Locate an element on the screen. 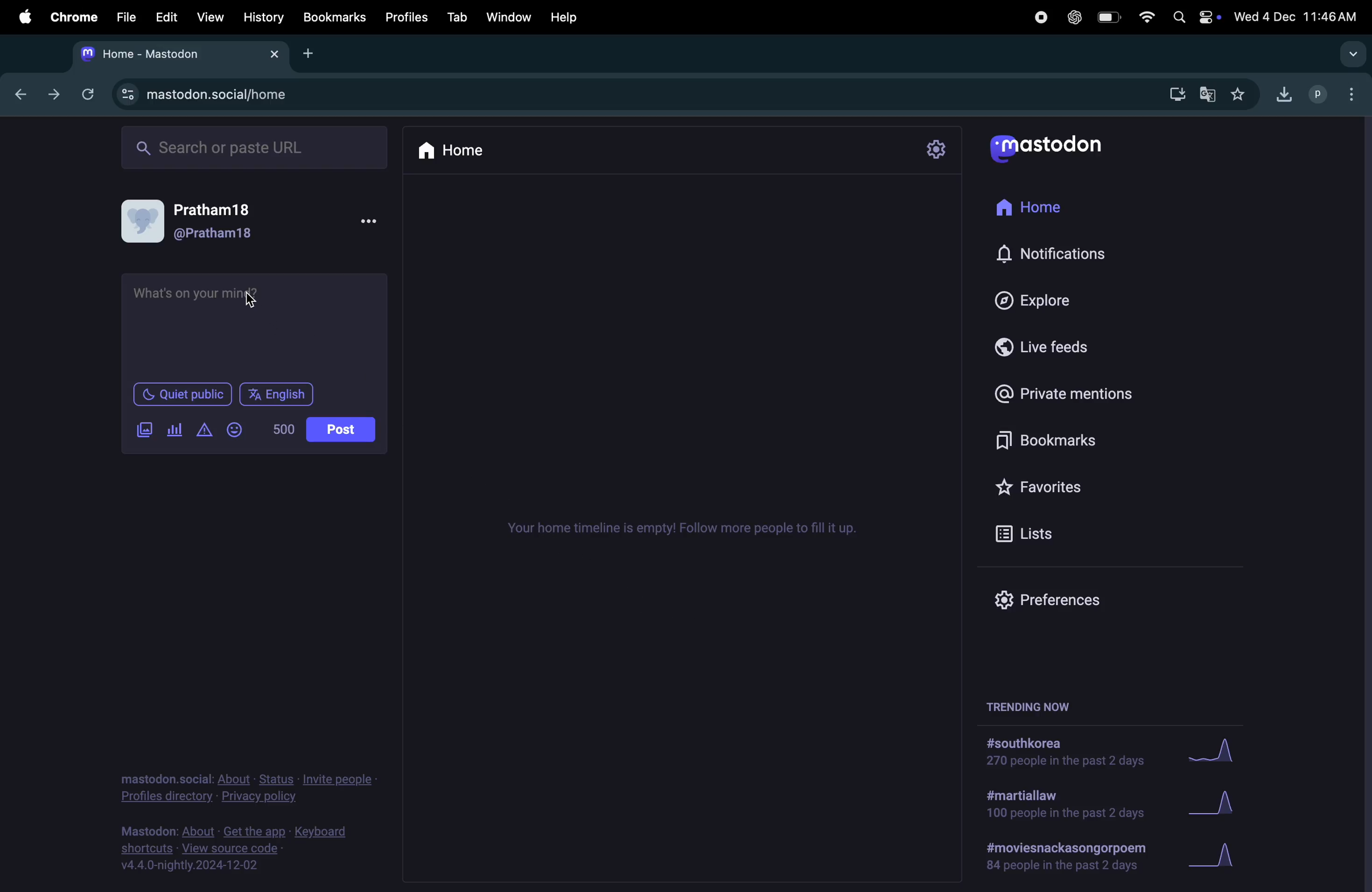  battery is located at coordinates (1108, 17).